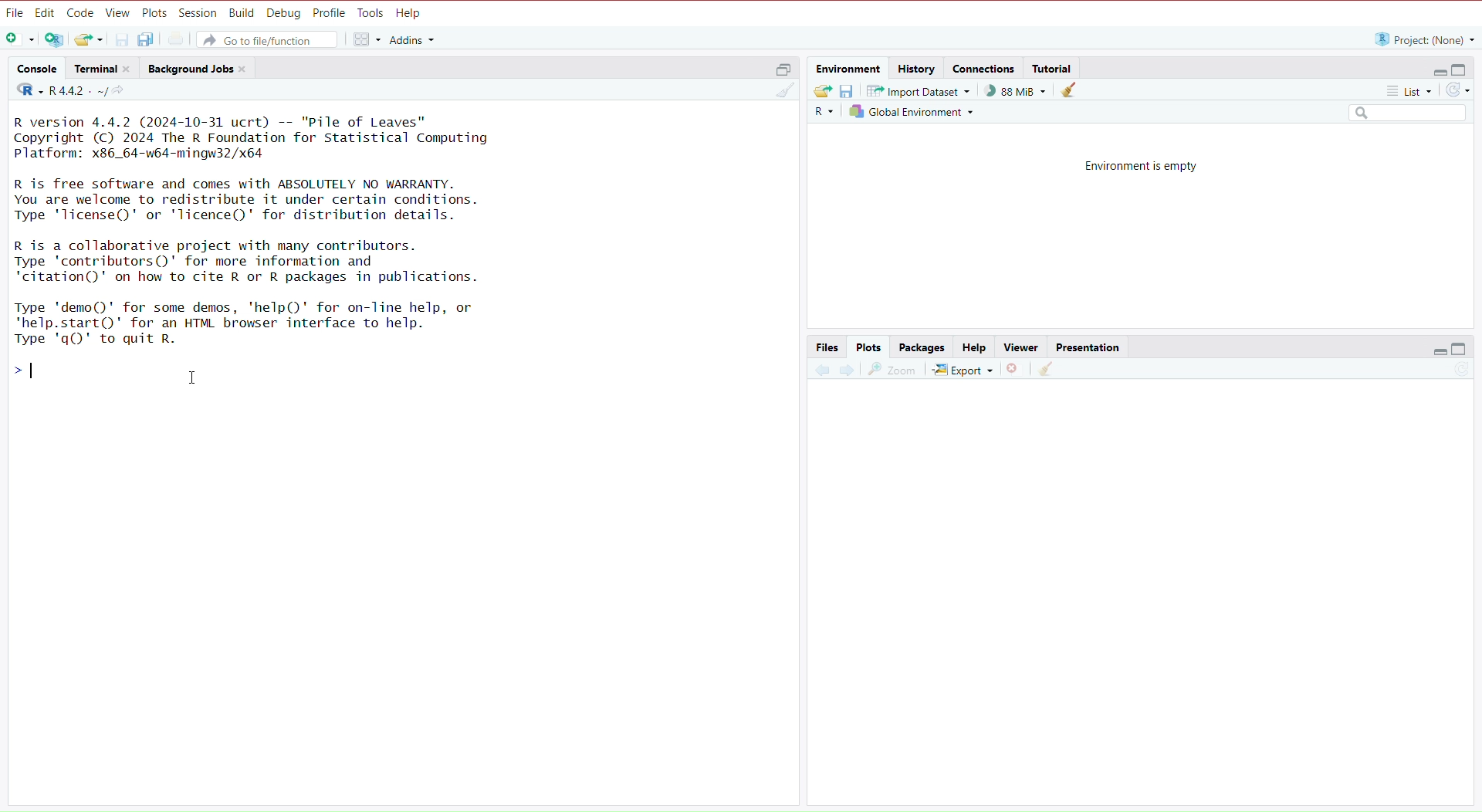  I want to click on Remove selected, so click(1015, 370).